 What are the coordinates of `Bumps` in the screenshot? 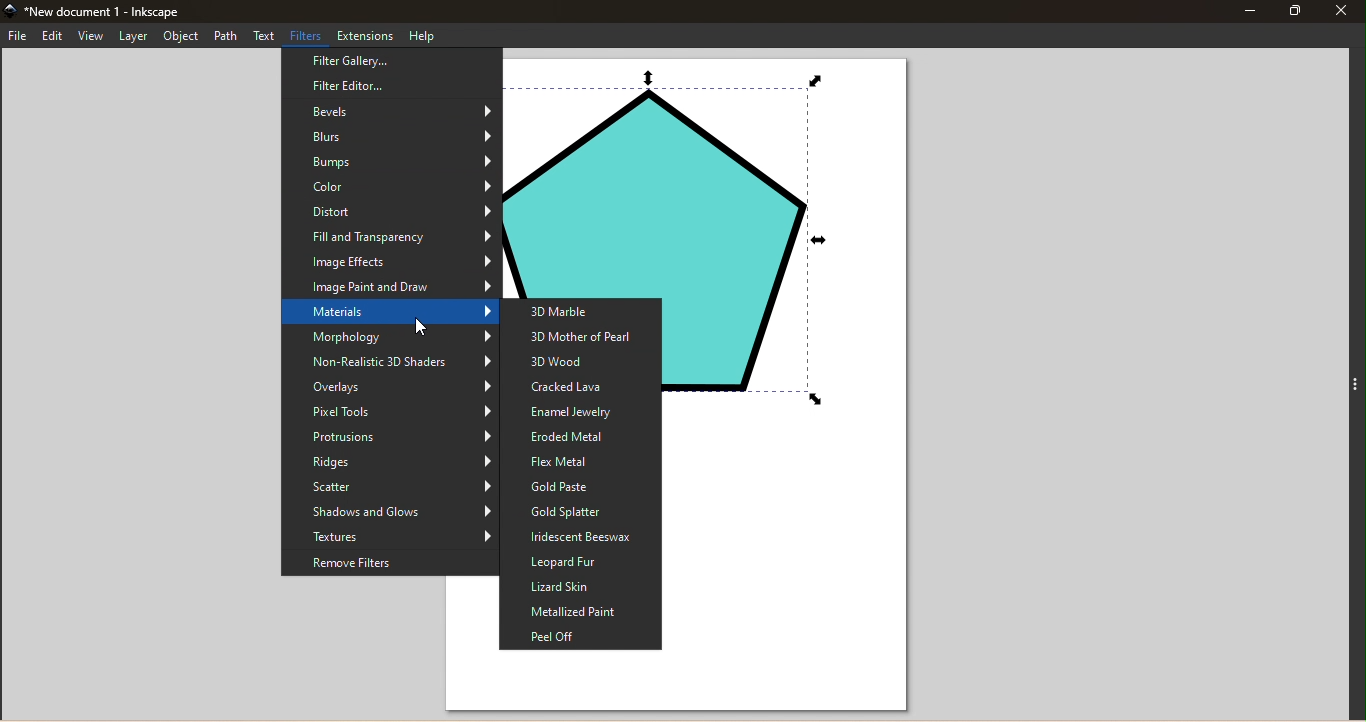 It's located at (391, 165).